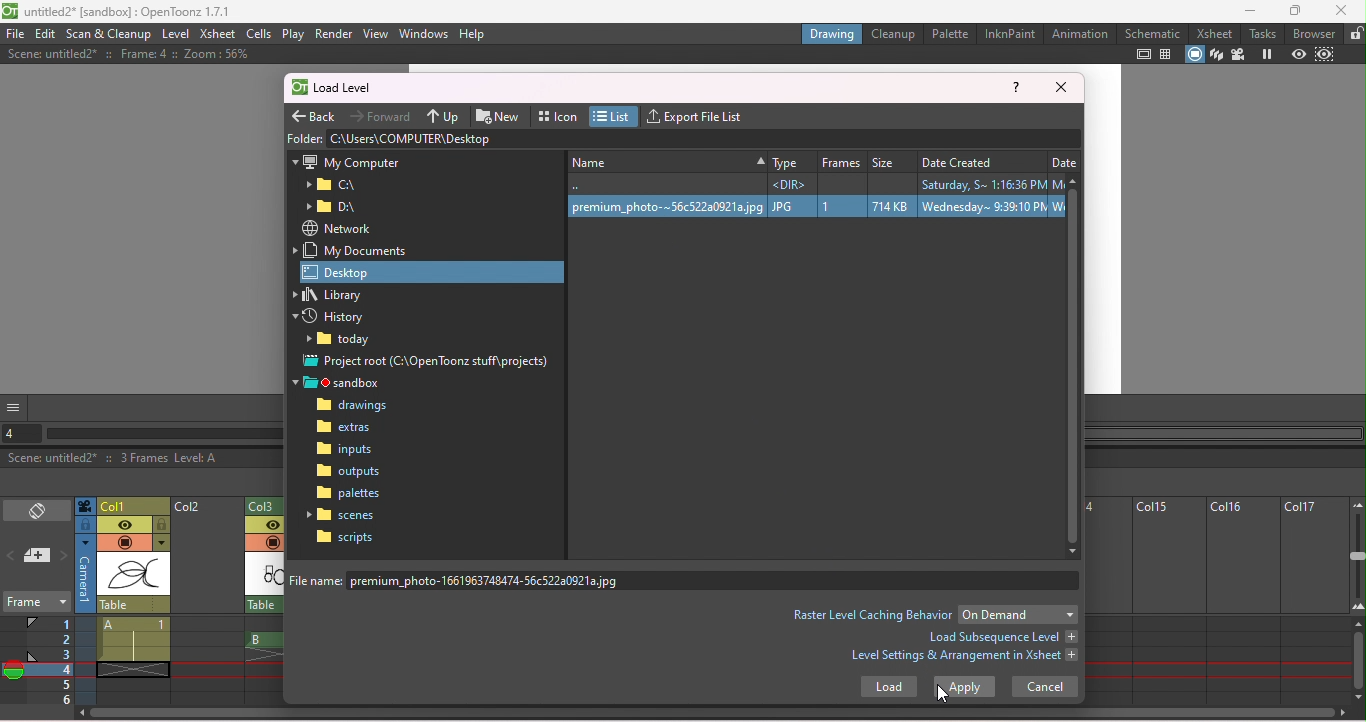 This screenshot has width=1366, height=722. I want to click on New, so click(665, 160).